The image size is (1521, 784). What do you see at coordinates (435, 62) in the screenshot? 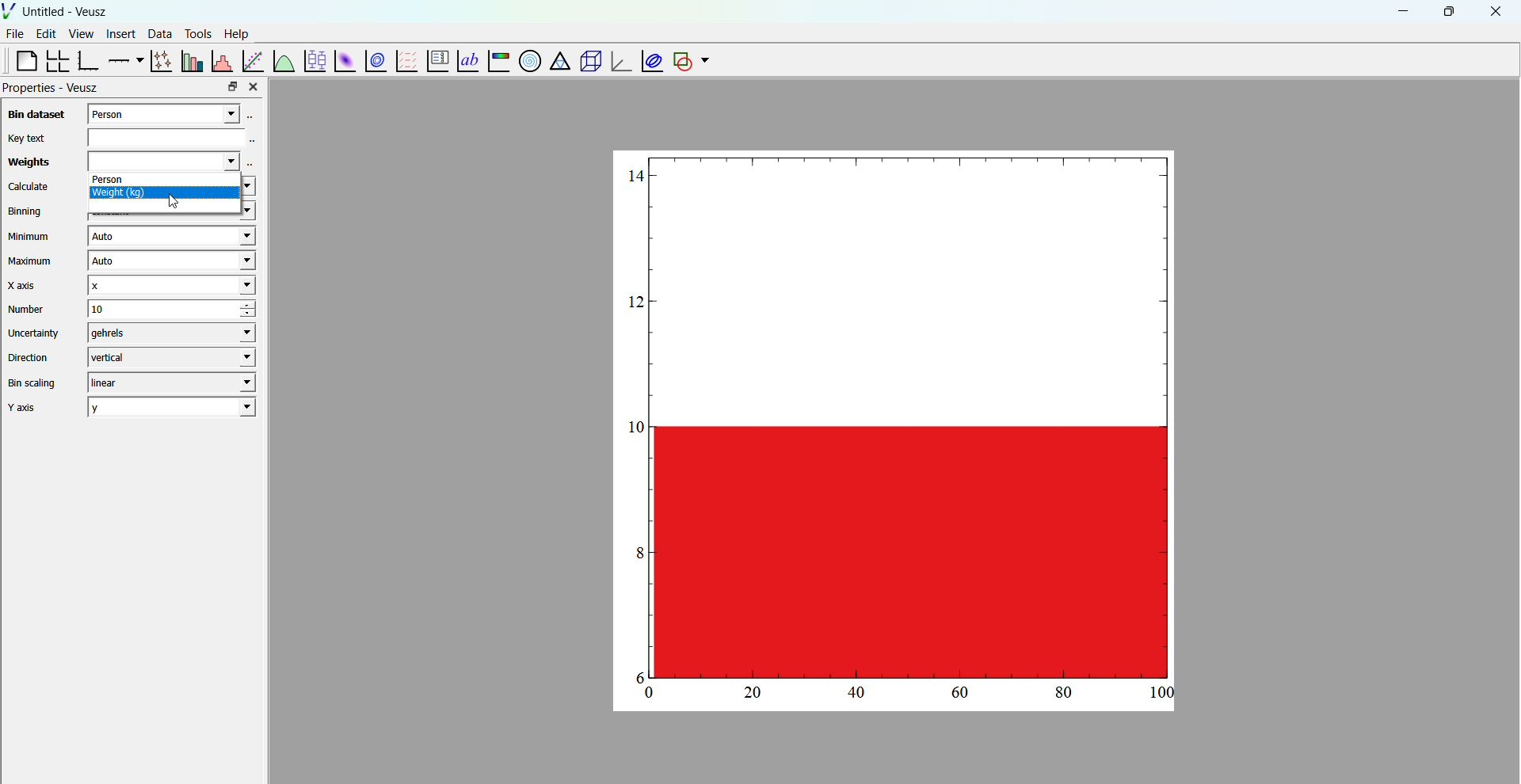
I see `plot key` at bounding box center [435, 62].